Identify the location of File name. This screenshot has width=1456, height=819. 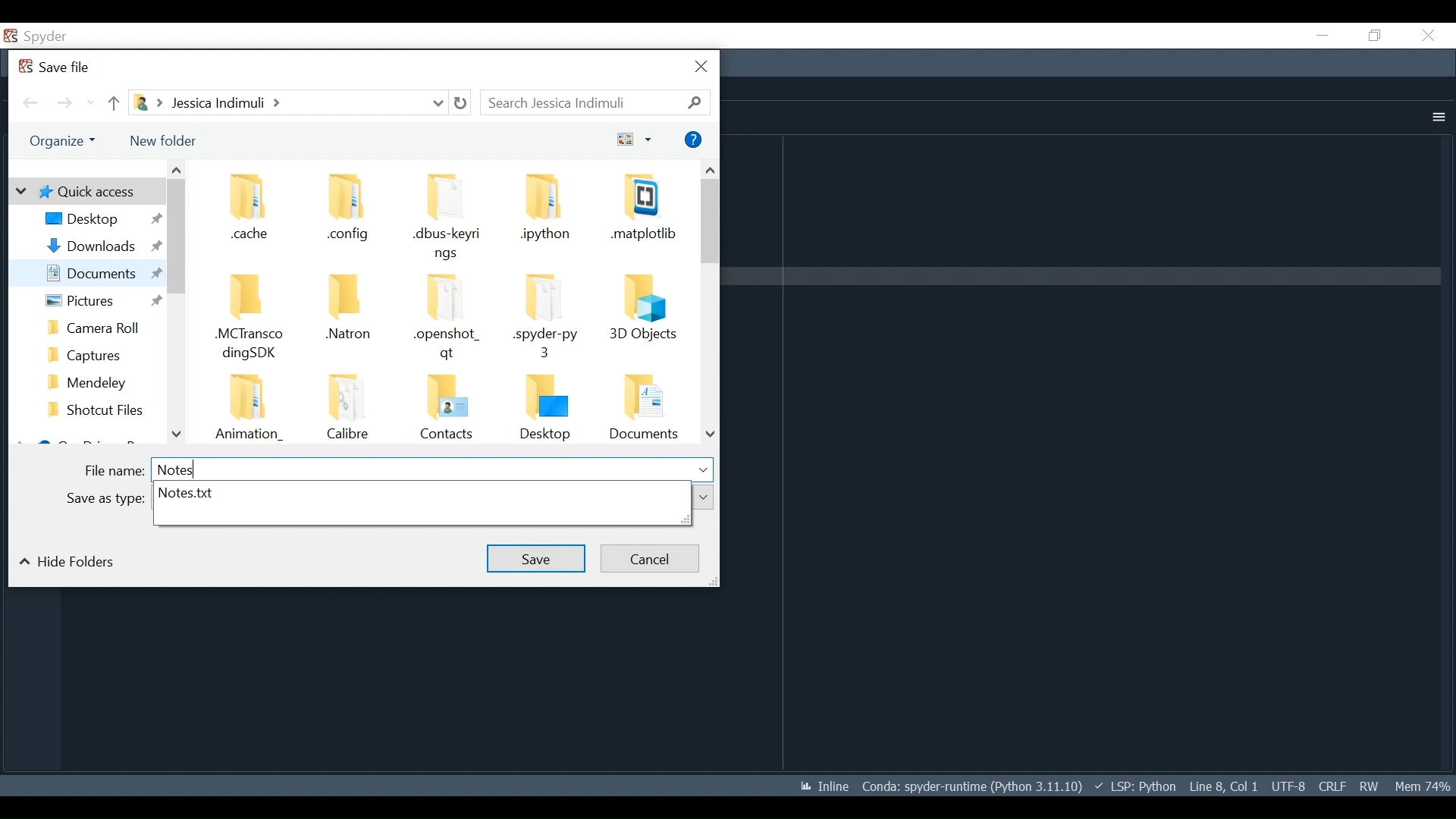
(399, 470).